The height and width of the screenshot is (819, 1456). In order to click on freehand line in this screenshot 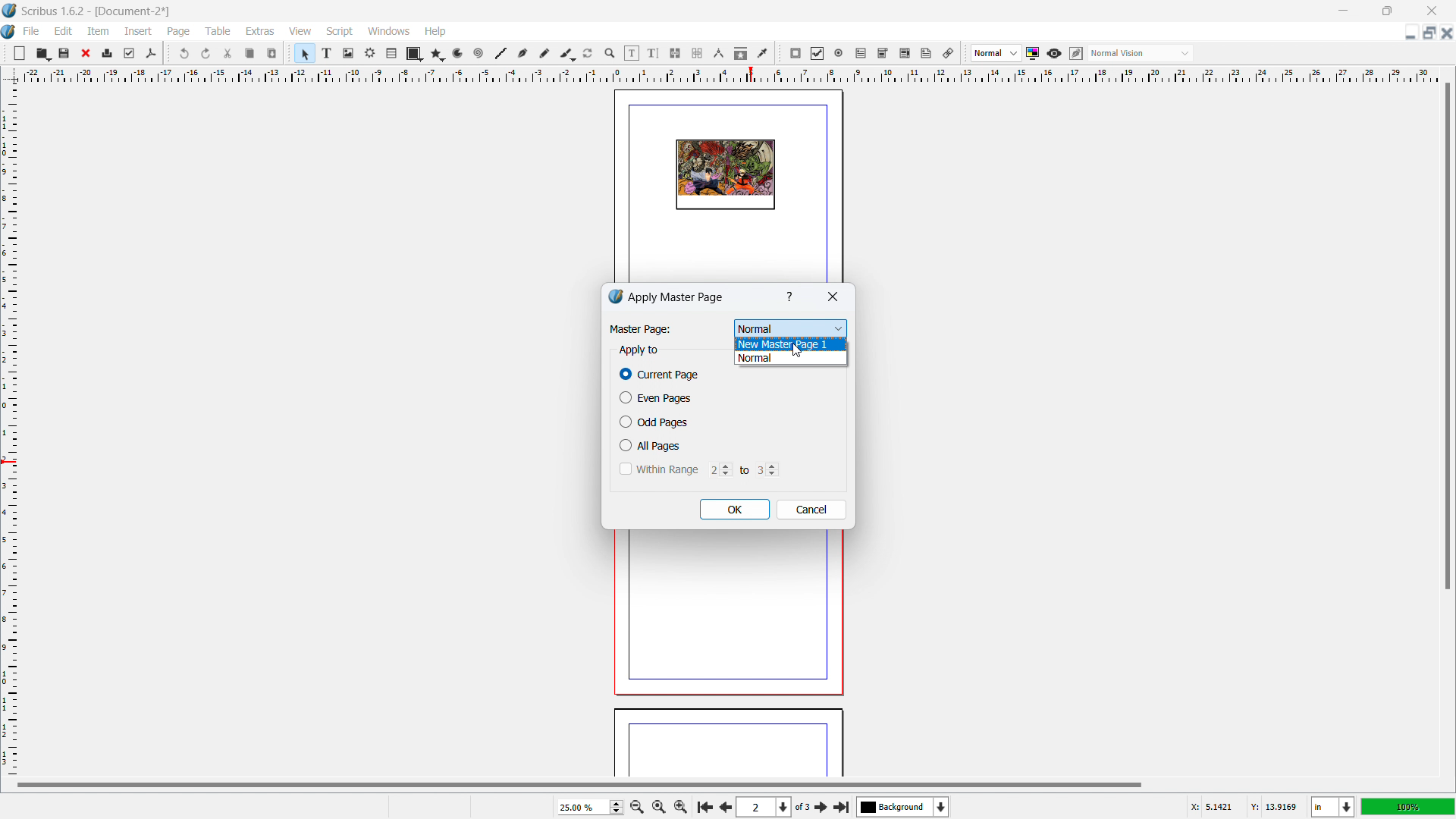, I will do `click(545, 54)`.